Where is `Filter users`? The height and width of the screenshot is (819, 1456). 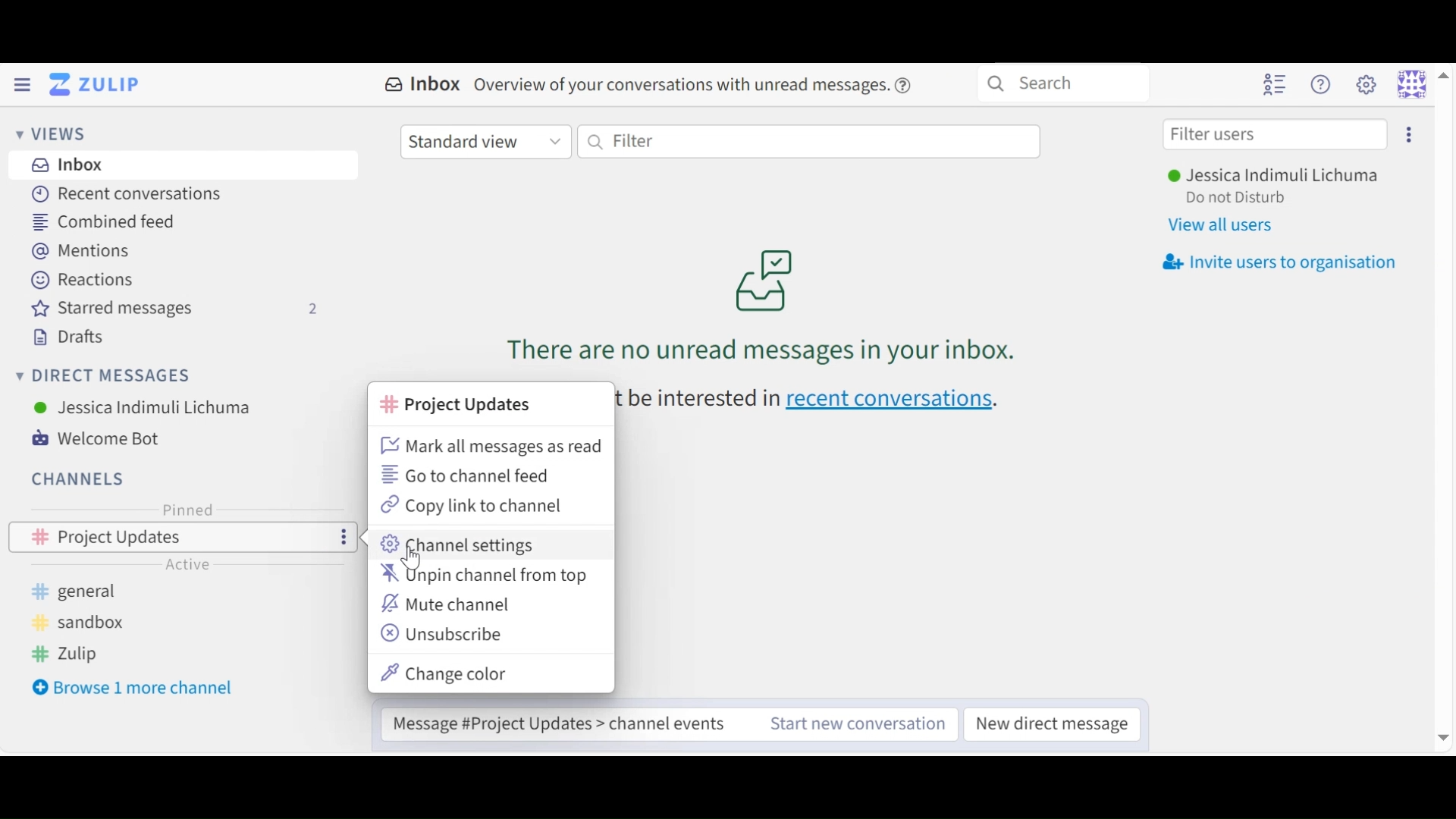
Filter users is located at coordinates (1276, 135).